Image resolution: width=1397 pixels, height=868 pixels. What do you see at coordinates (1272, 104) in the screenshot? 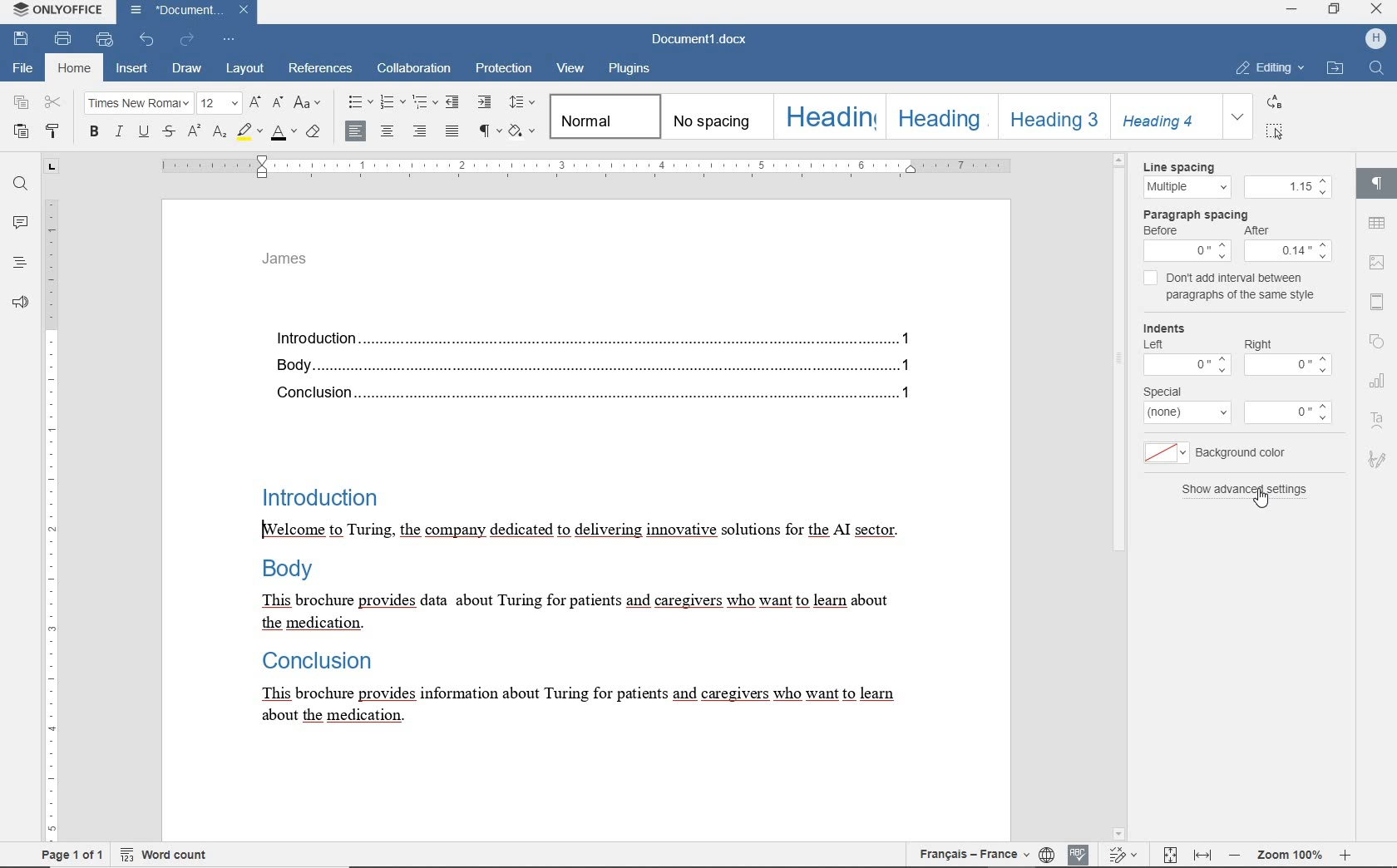
I see `replace` at bounding box center [1272, 104].